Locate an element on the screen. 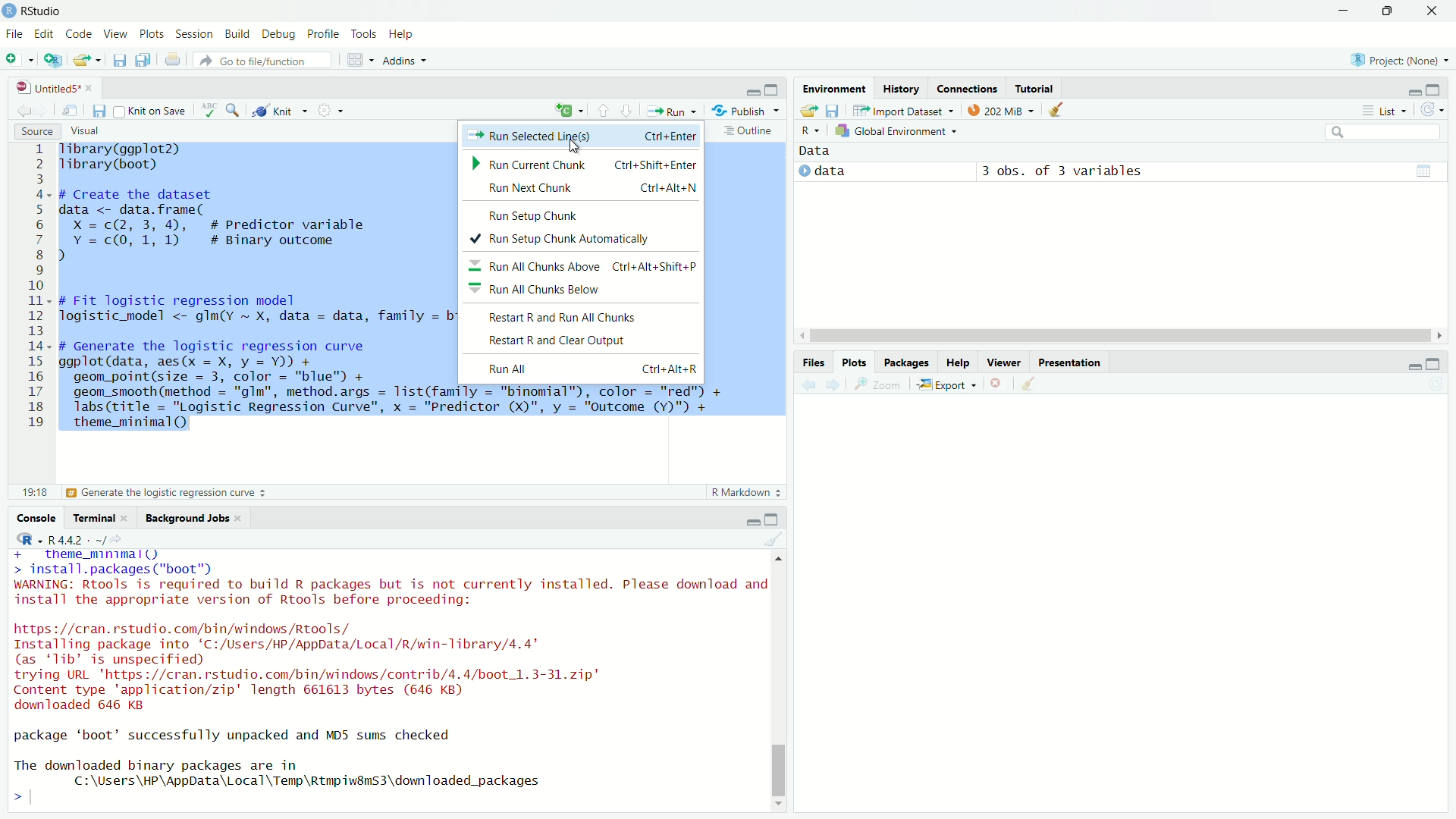 The height and width of the screenshot is (819, 1456). Visual is located at coordinates (84, 130).